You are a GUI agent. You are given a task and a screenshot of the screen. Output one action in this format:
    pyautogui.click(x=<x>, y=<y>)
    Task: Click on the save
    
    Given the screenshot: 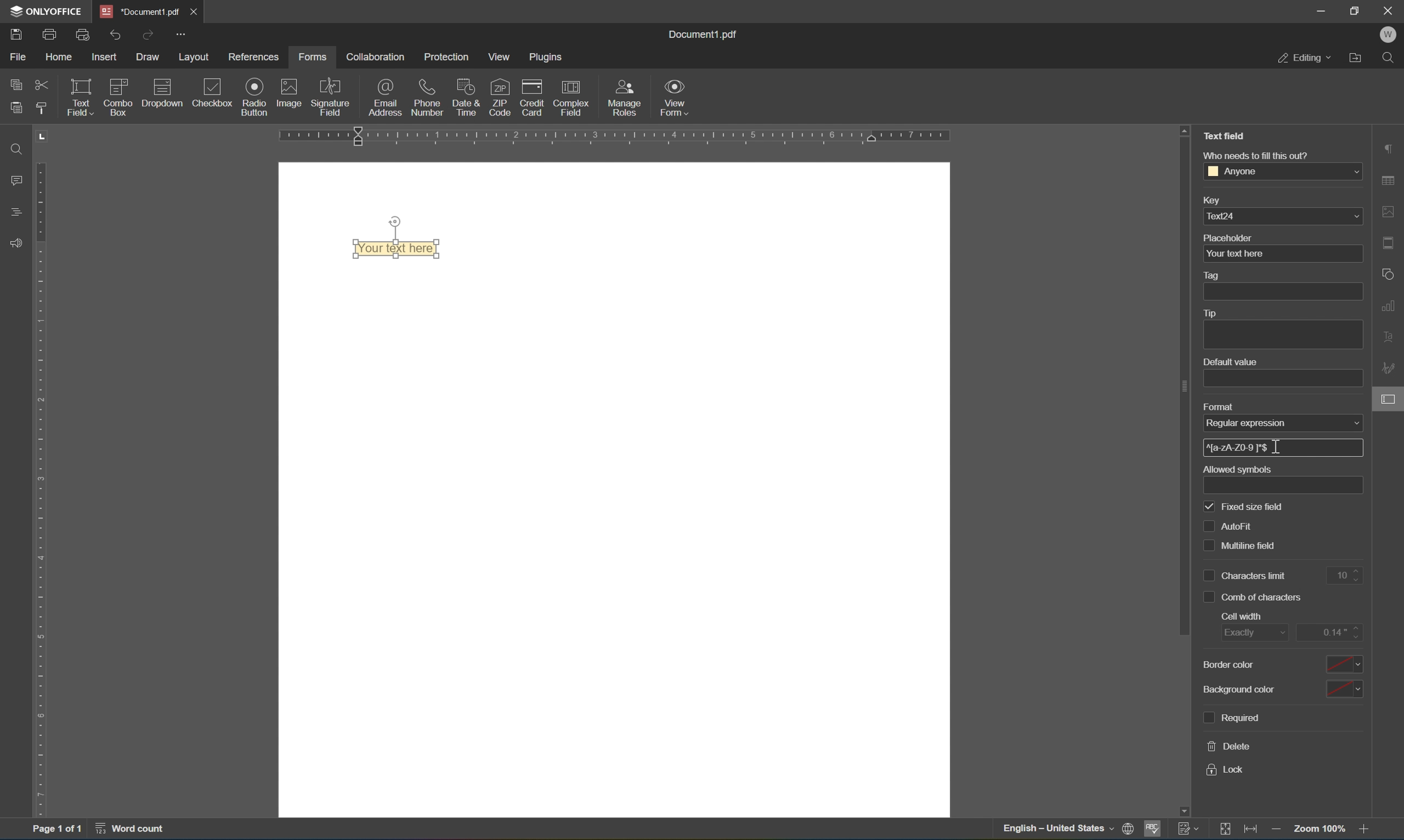 What is the action you would take?
    pyautogui.click(x=16, y=36)
    